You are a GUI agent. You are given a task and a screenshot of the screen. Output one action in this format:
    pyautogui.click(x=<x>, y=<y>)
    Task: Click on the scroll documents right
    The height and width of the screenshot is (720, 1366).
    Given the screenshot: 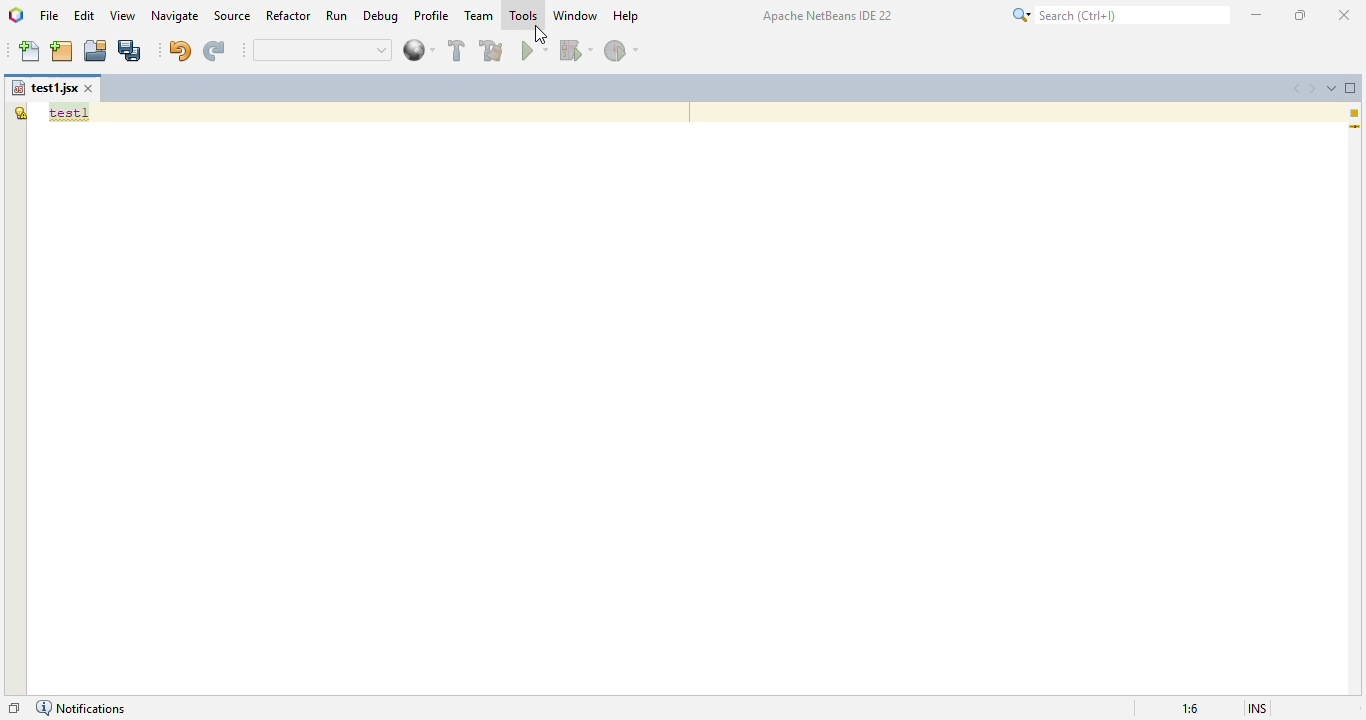 What is the action you would take?
    pyautogui.click(x=1315, y=89)
    